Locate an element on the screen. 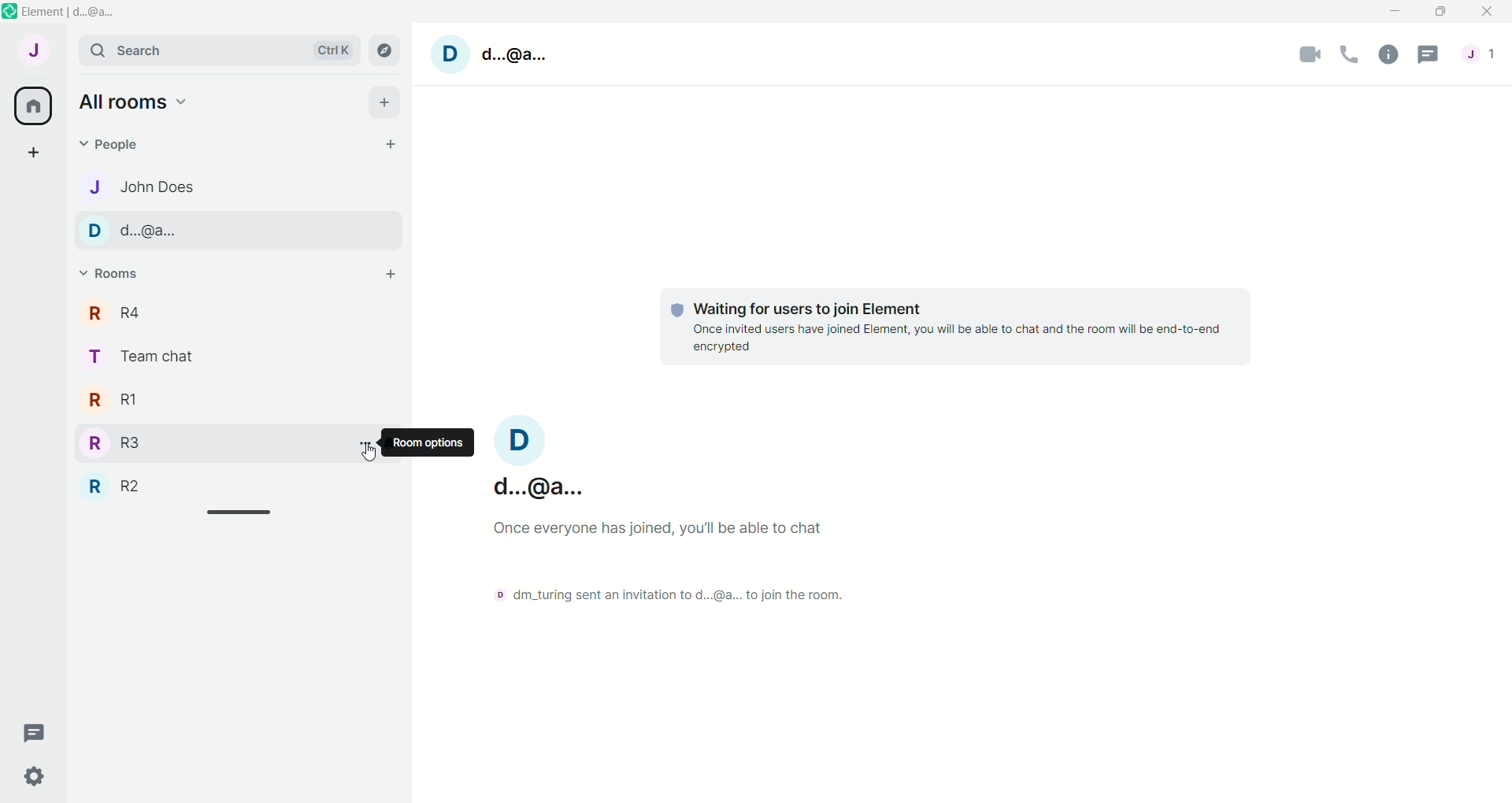 The height and width of the screenshot is (803, 1512). minimize is located at coordinates (1398, 14).